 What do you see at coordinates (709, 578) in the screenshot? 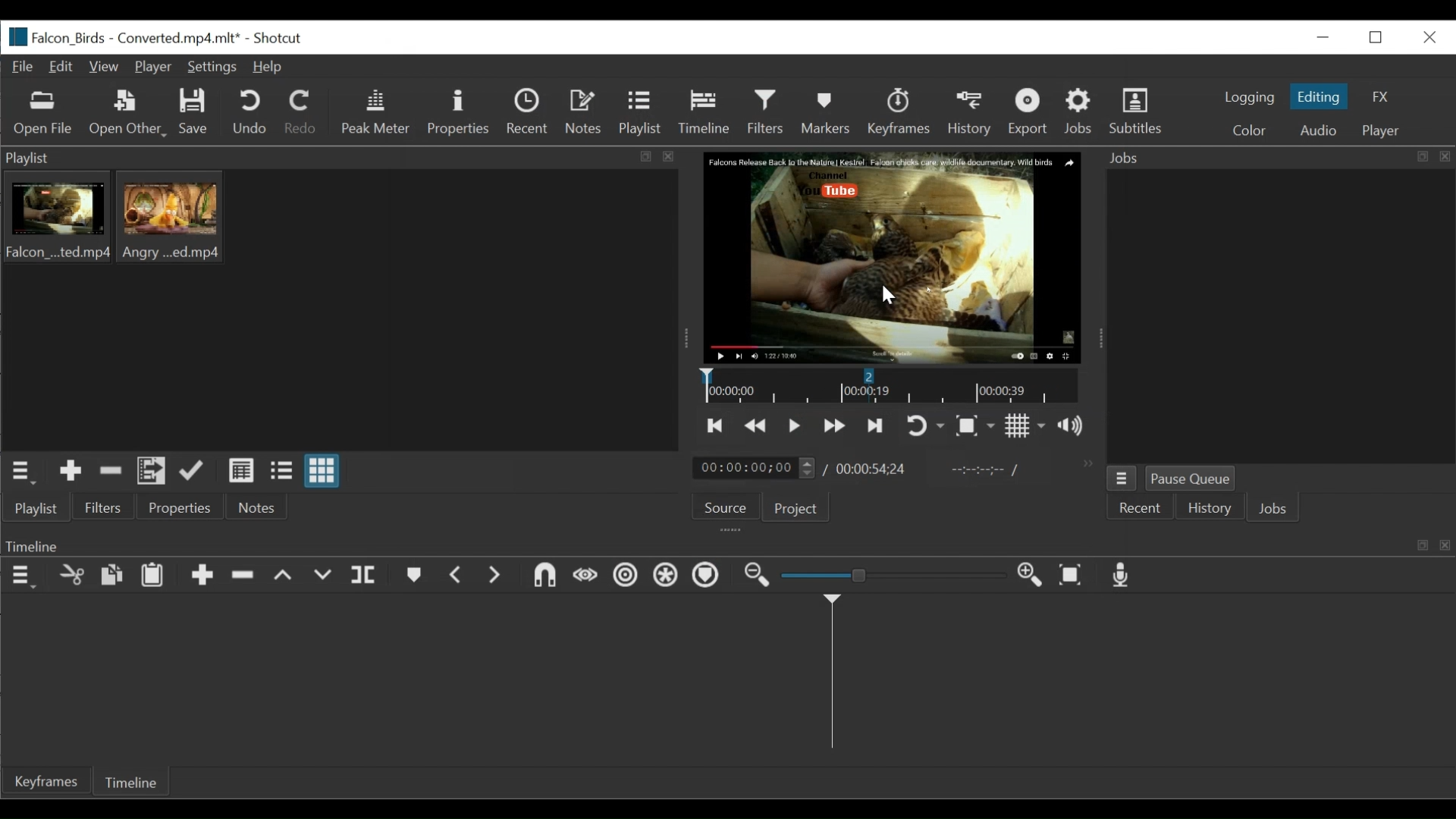
I see `Ripple Markers` at bounding box center [709, 578].